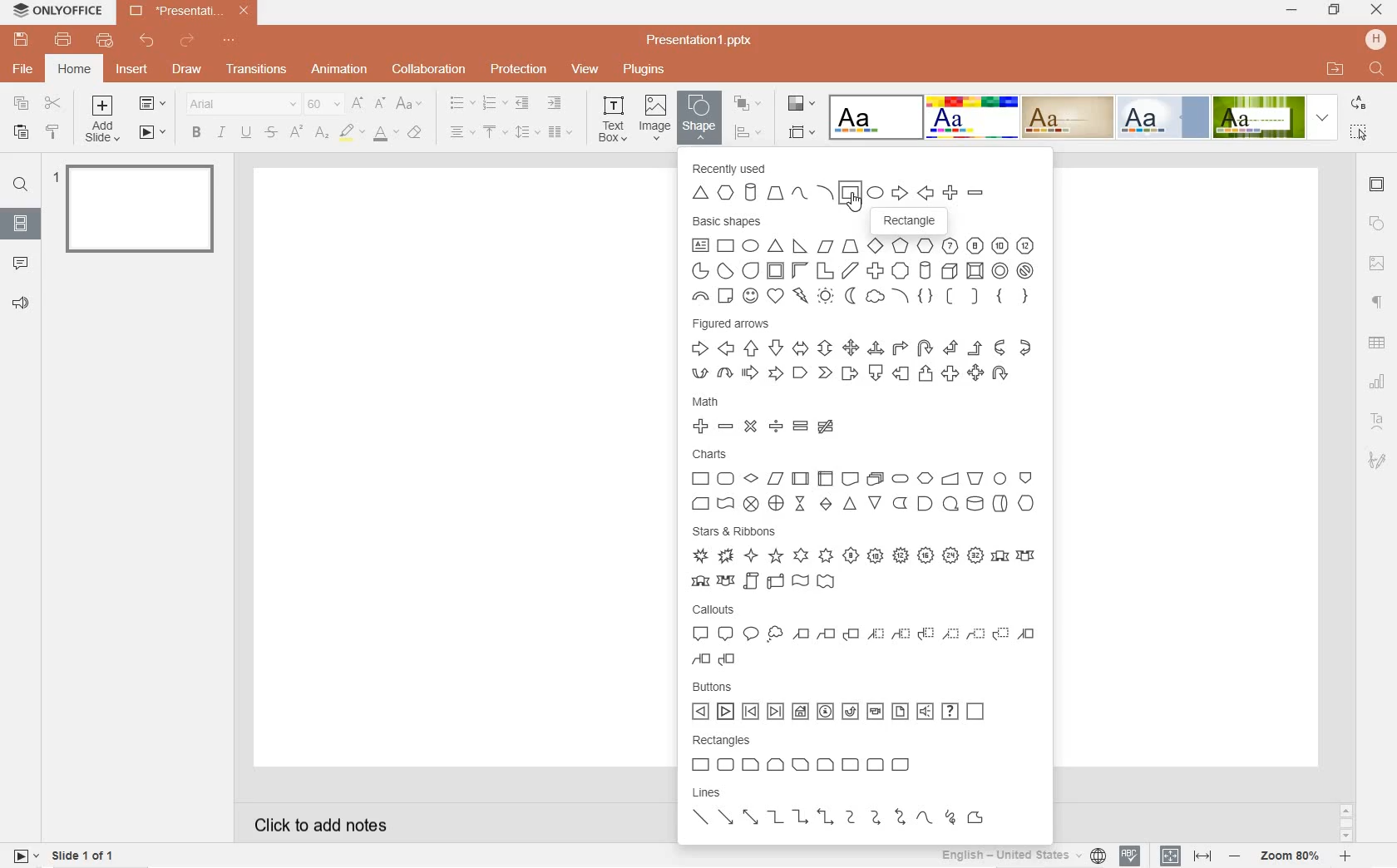 This screenshot has height=868, width=1397. I want to click on REPLACE, so click(1358, 104).